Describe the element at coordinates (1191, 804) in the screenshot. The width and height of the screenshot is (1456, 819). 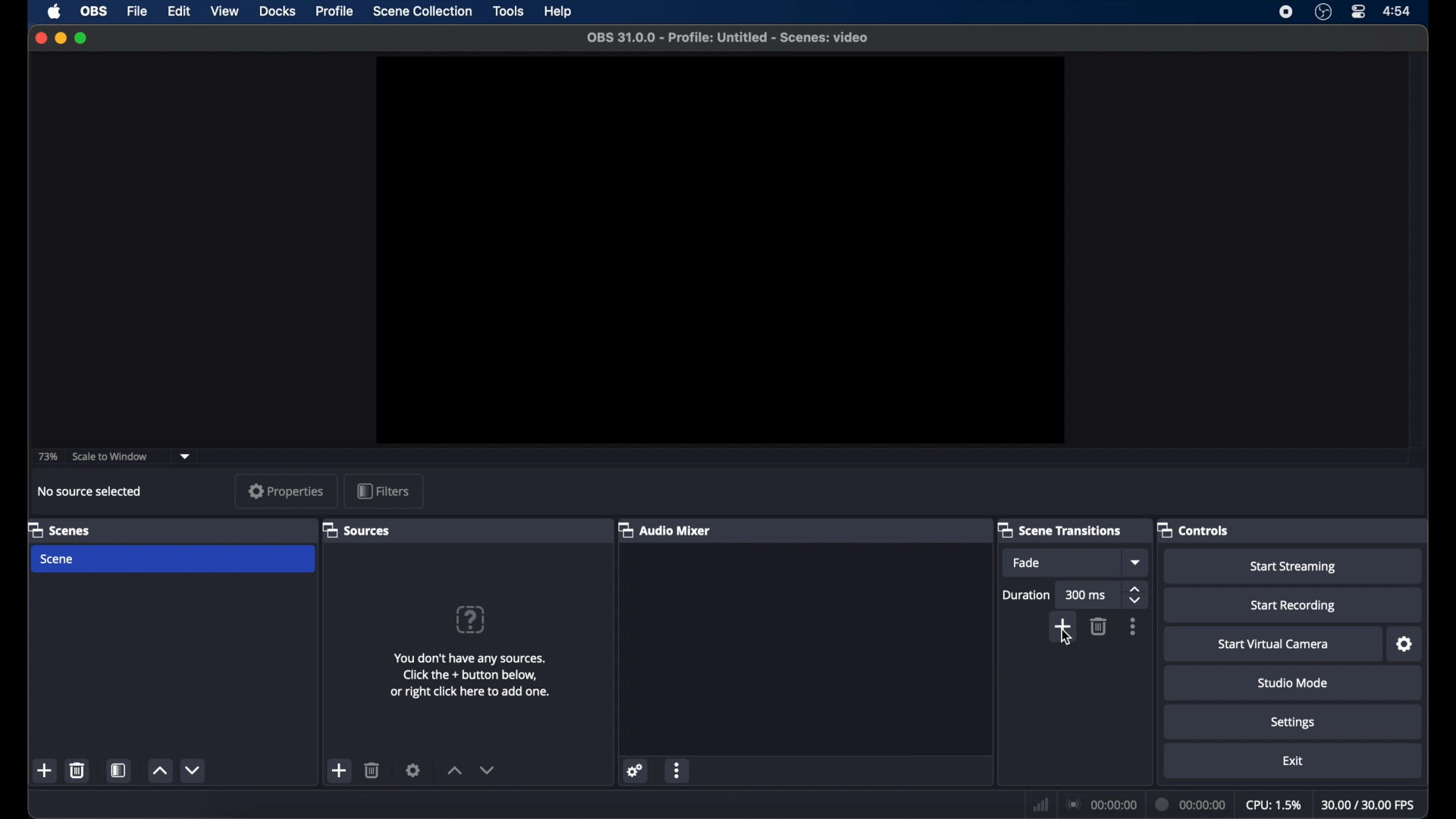
I see `duration` at that location.